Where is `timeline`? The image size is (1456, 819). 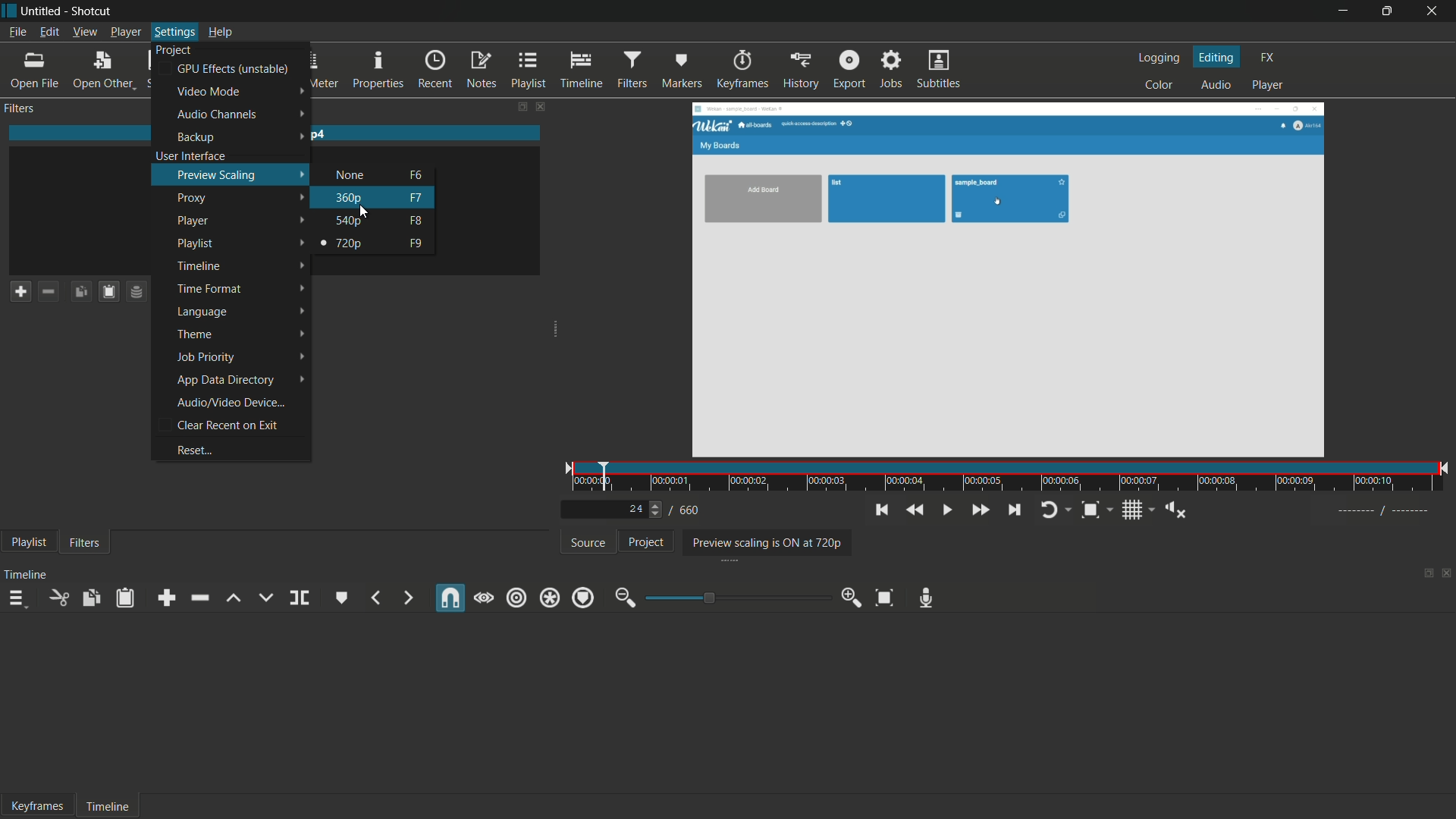
timeline is located at coordinates (582, 70).